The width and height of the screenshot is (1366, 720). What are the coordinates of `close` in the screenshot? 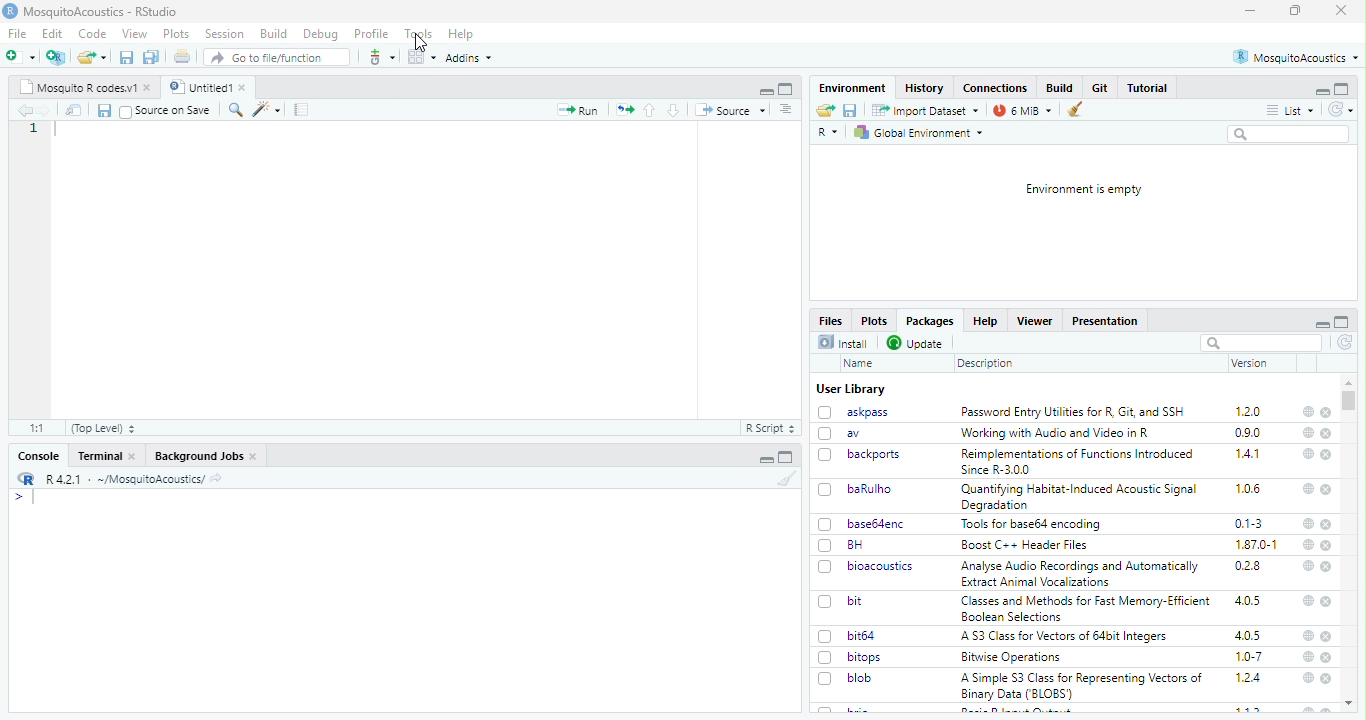 It's located at (1327, 679).